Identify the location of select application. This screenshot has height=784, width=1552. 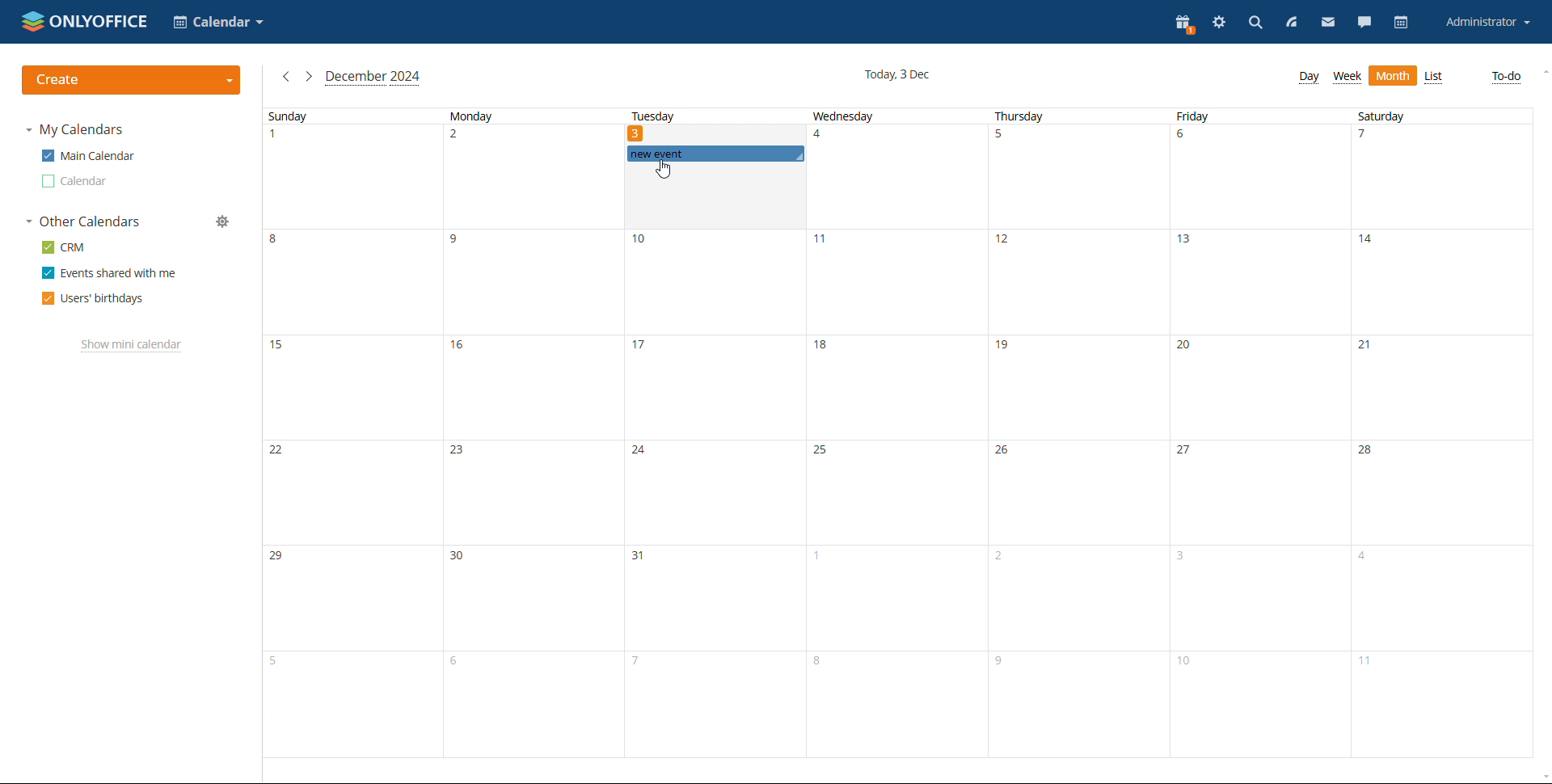
(218, 22).